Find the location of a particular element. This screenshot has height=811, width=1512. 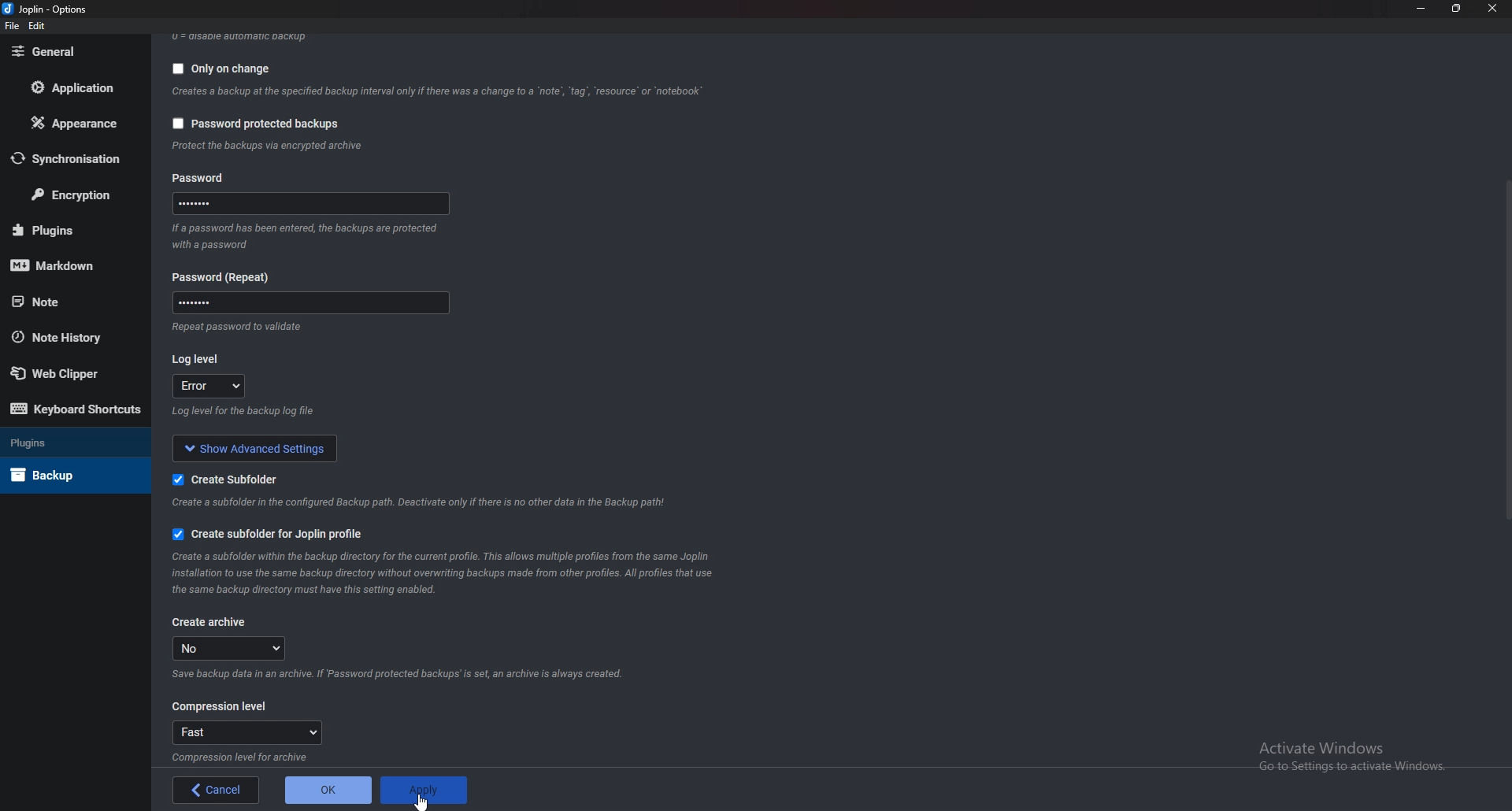

Info on backup on change is located at coordinates (435, 94).